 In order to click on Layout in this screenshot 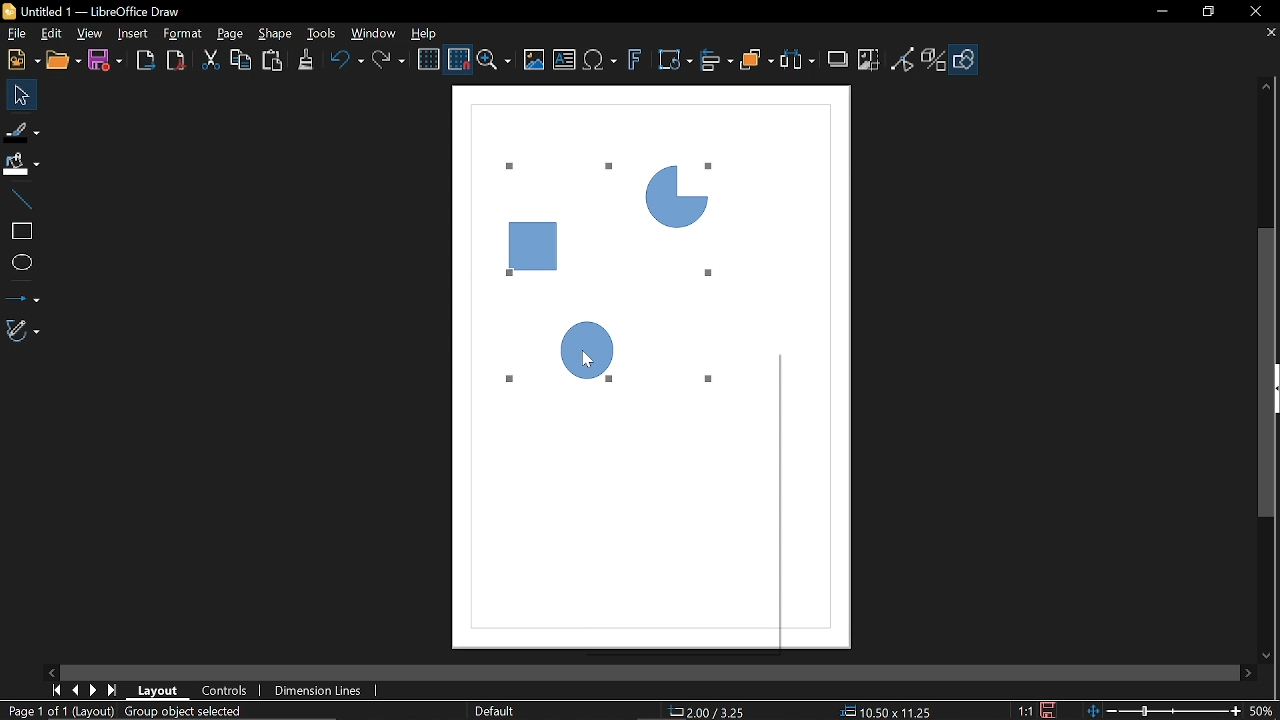, I will do `click(160, 692)`.